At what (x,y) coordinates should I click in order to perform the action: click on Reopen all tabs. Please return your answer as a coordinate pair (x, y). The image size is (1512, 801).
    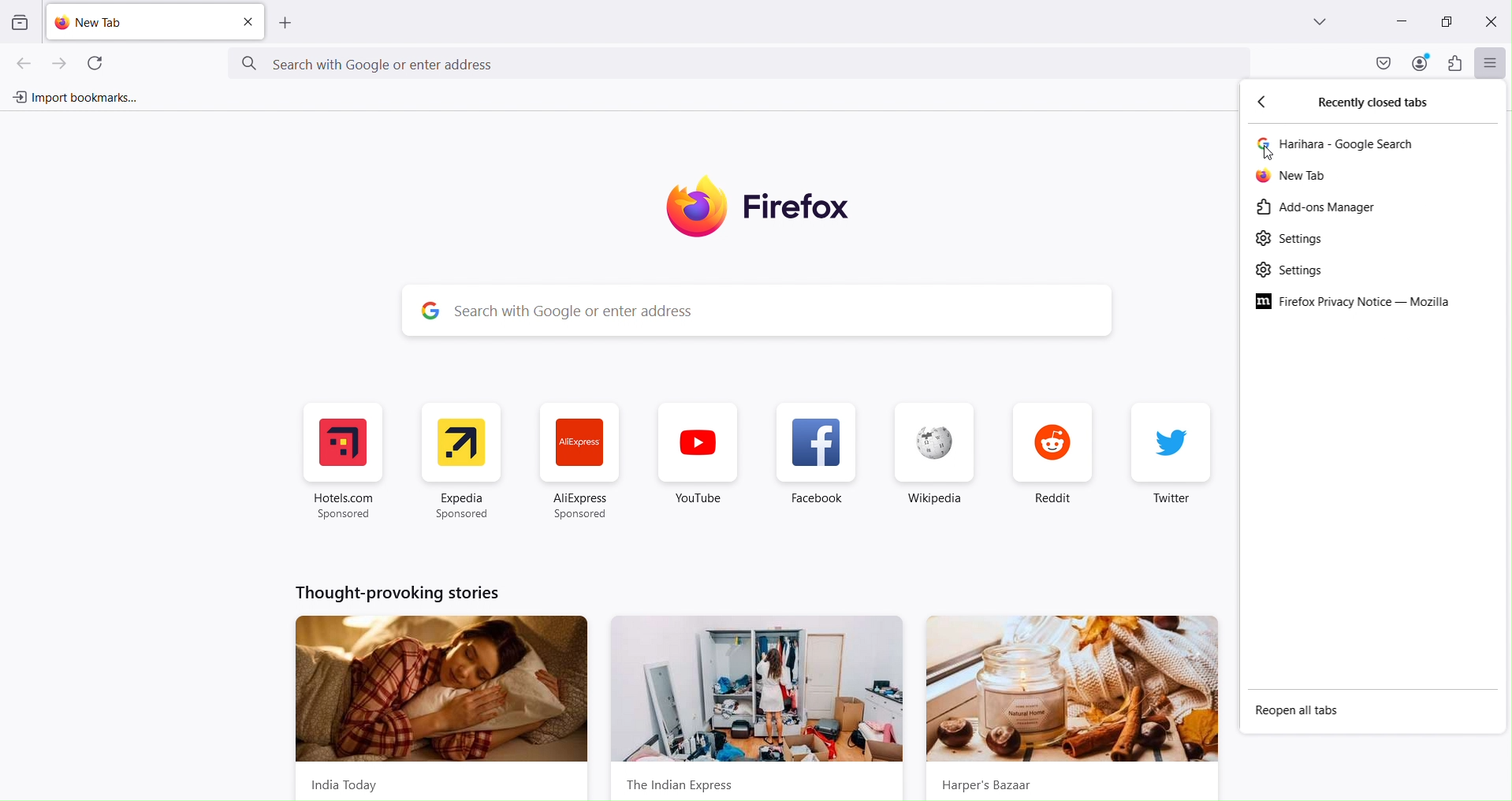
    Looking at the image, I should click on (1299, 712).